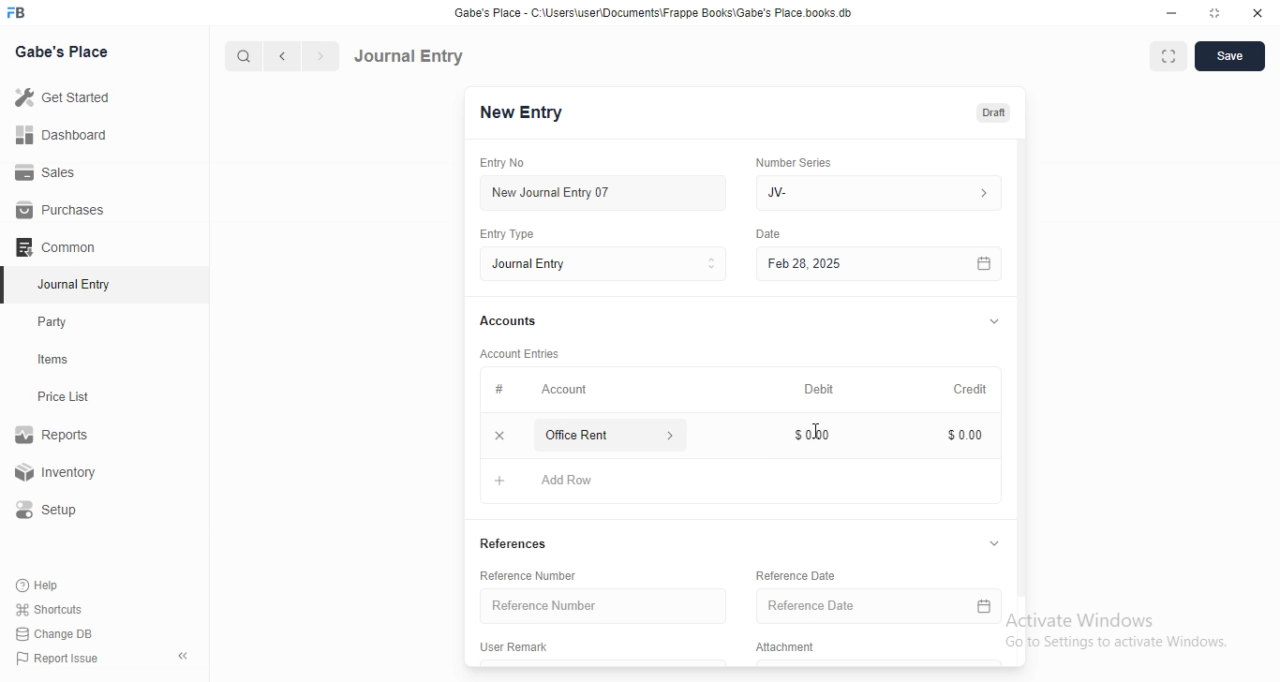  Describe the element at coordinates (604, 606) in the screenshot. I see `Reference Number` at that location.